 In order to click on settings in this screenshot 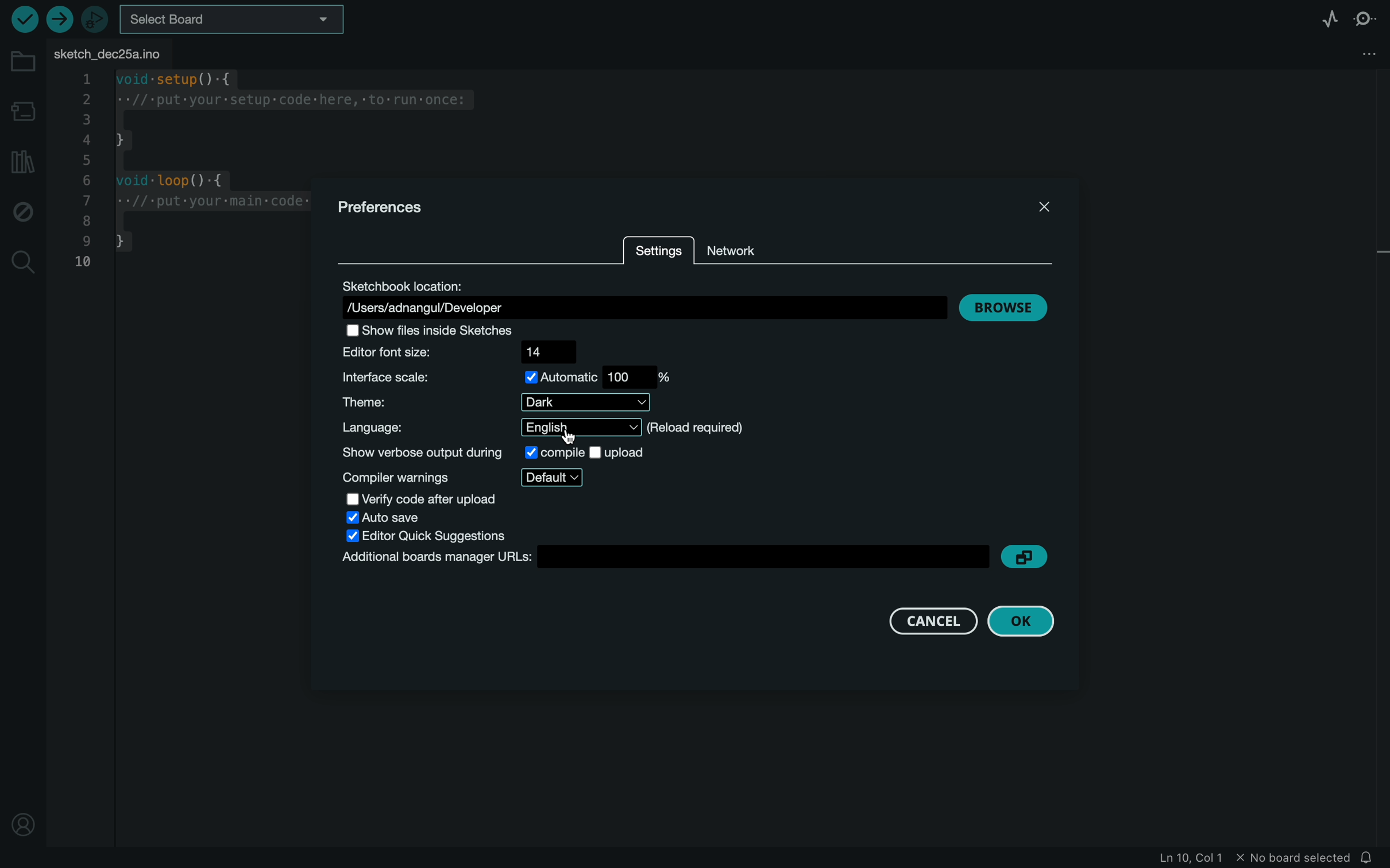, I will do `click(657, 253)`.